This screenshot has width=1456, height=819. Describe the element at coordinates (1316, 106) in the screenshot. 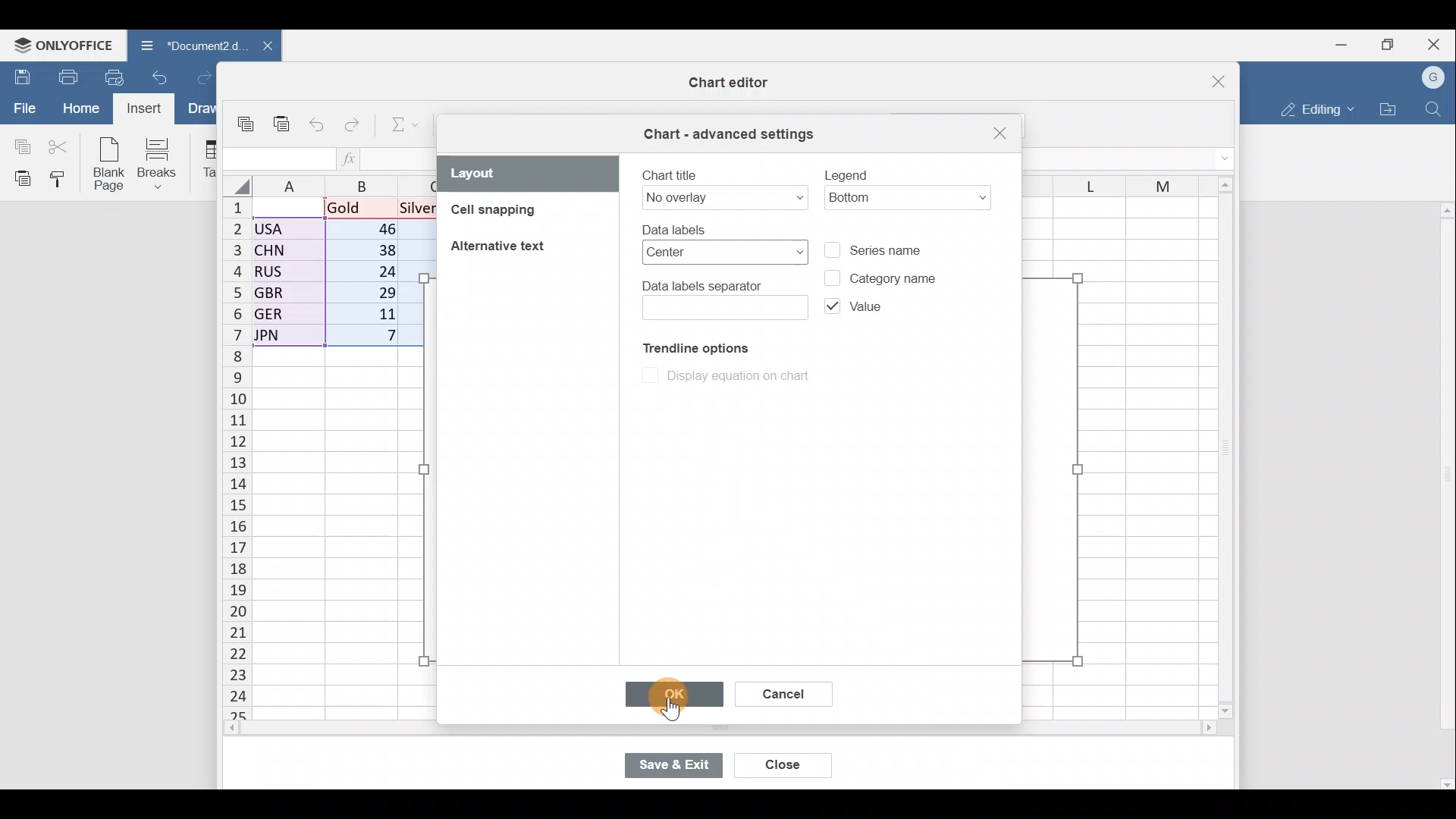

I see `Editing mode` at that location.